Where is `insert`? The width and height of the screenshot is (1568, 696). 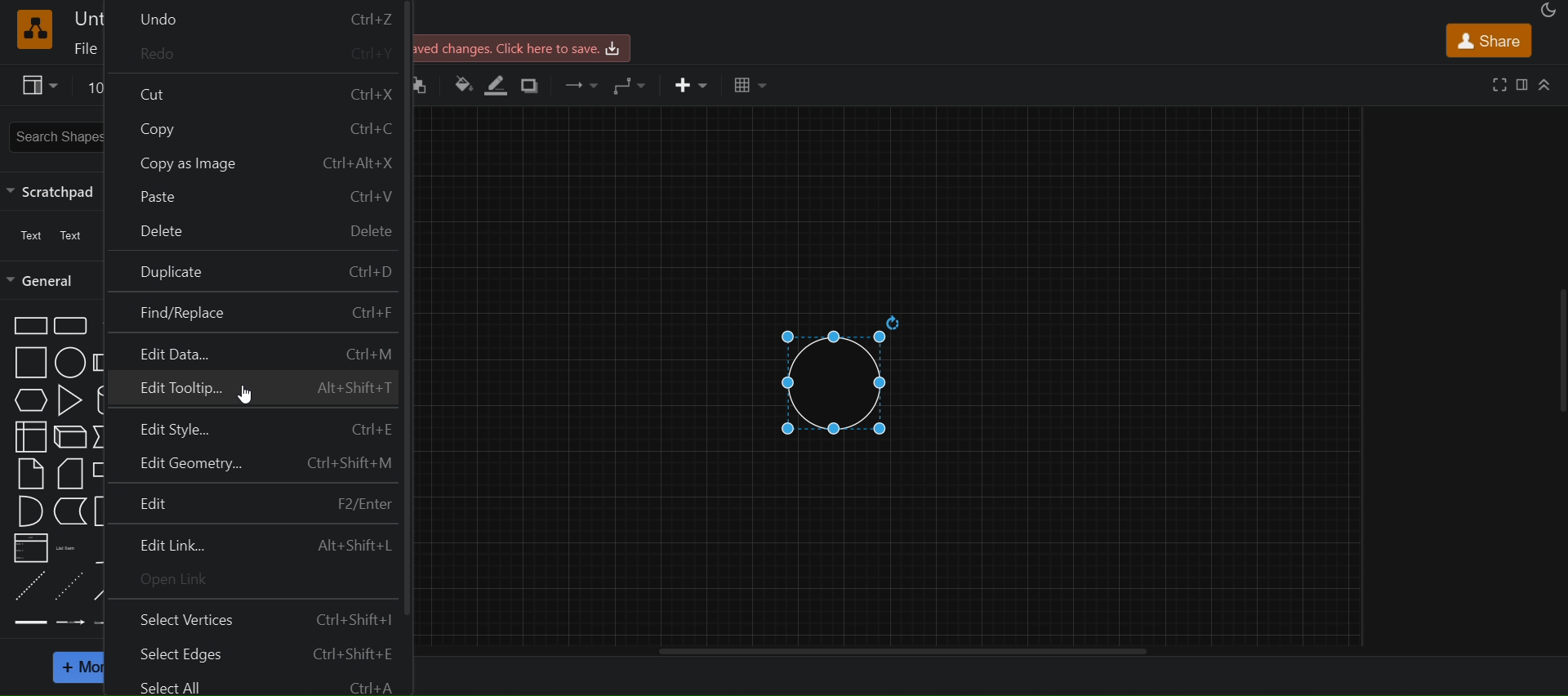 insert is located at coordinates (688, 83).